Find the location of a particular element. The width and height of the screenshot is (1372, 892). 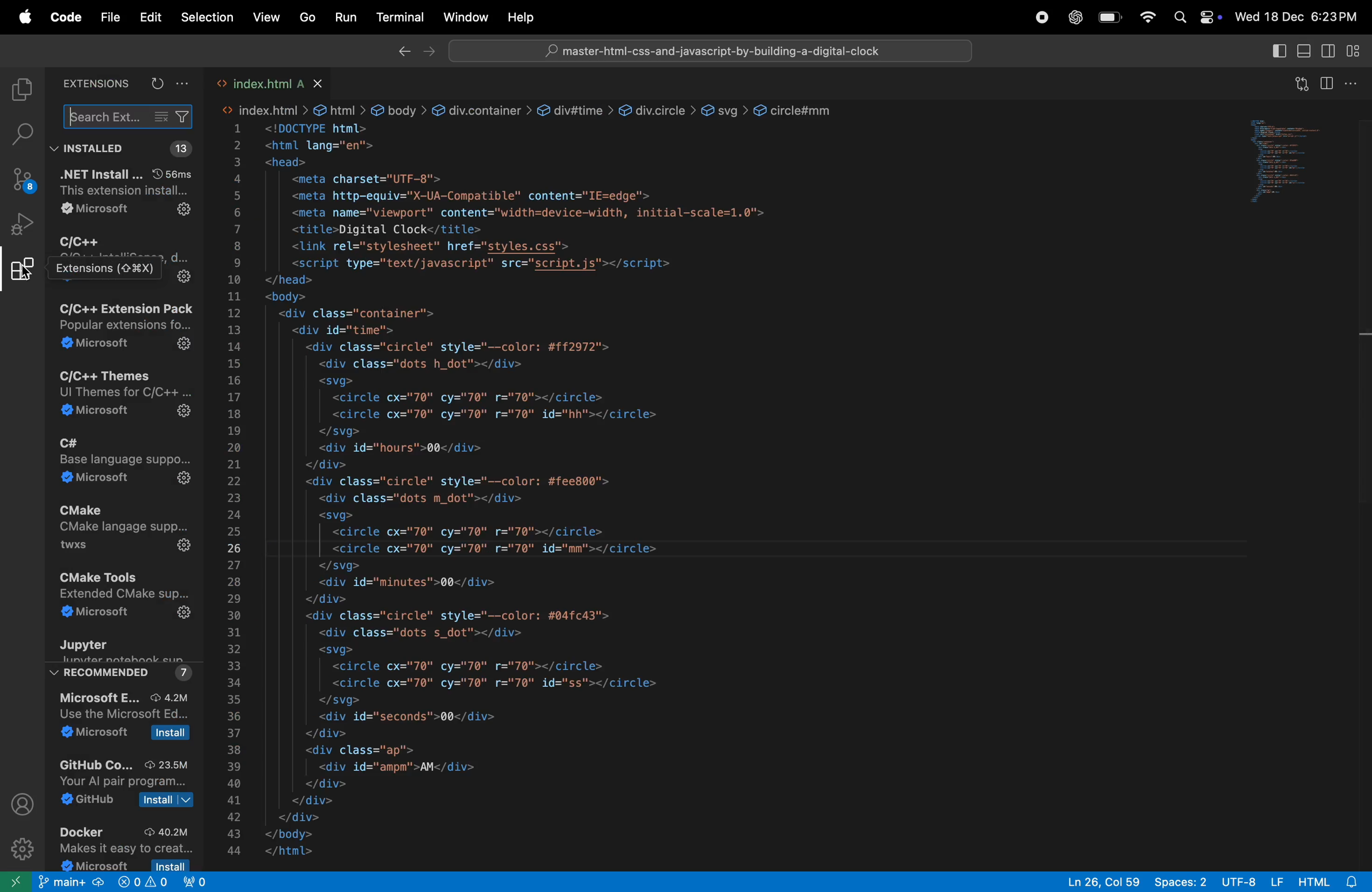

backward is located at coordinates (398, 52).